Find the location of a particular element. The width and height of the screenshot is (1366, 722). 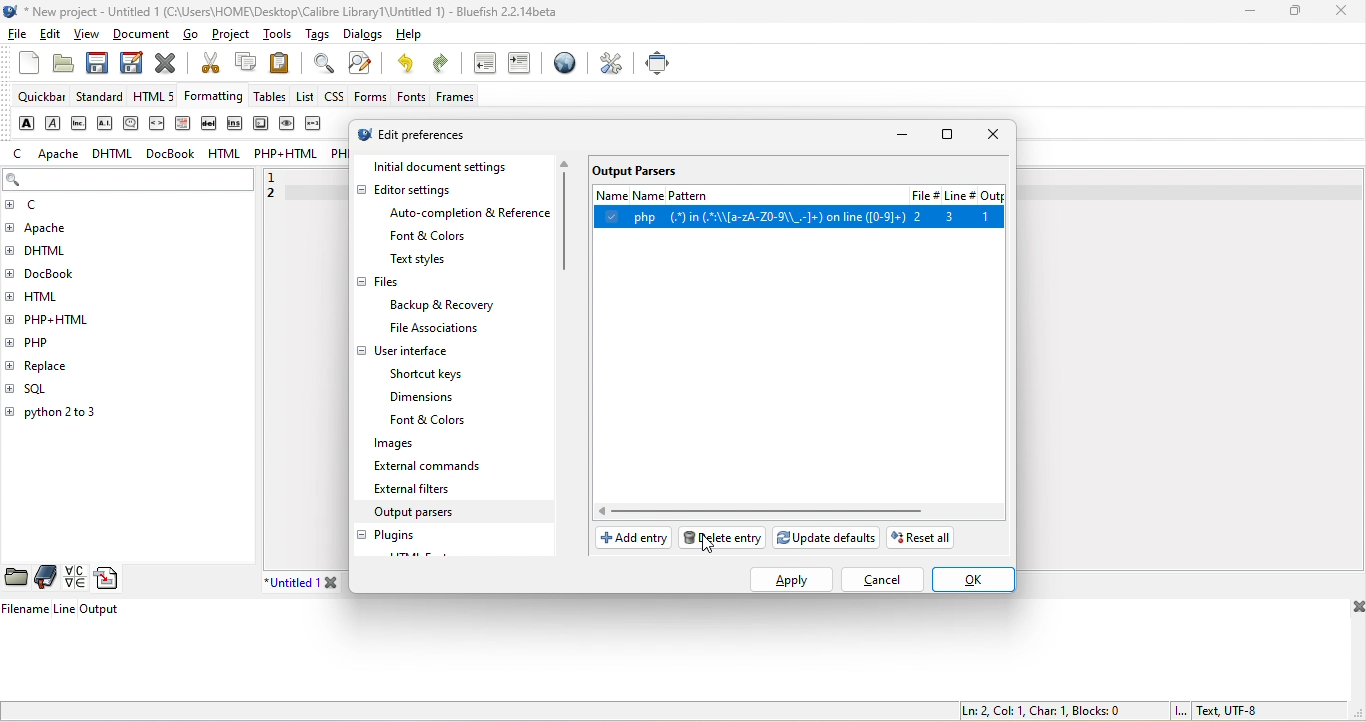

open is located at coordinates (62, 67).